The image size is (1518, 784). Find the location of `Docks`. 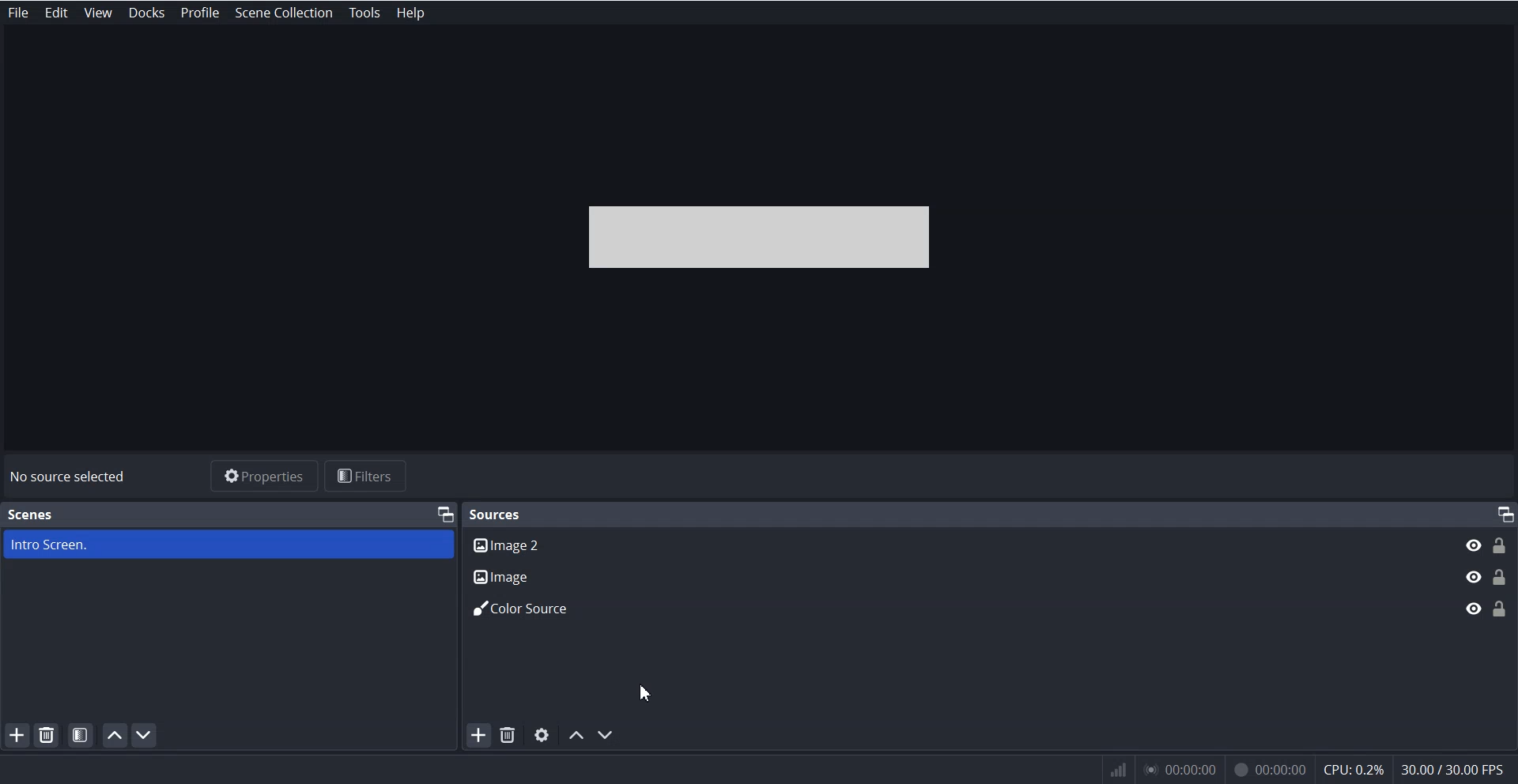

Docks is located at coordinates (144, 12).